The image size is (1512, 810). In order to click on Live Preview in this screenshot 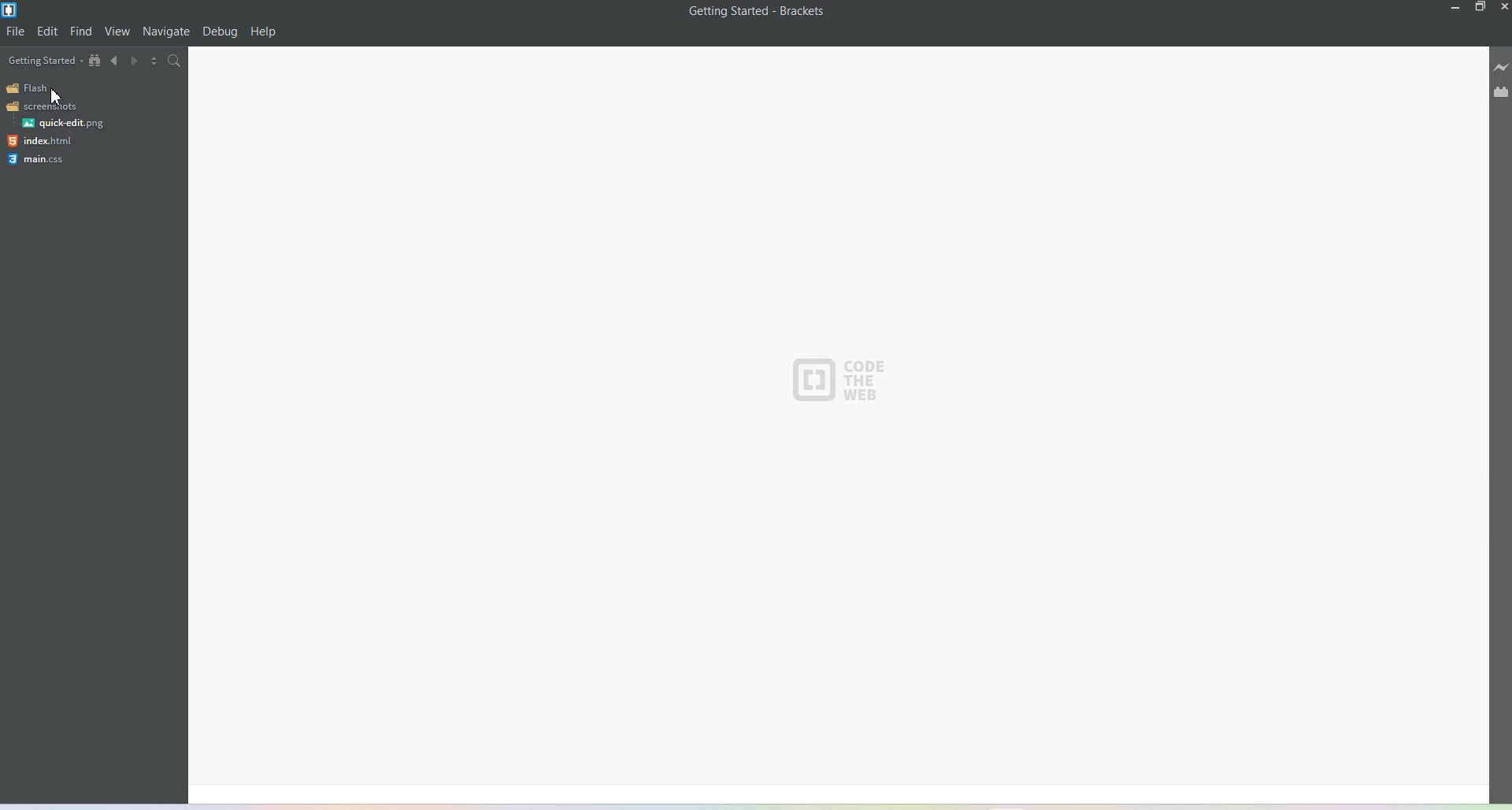, I will do `click(1501, 69)`.